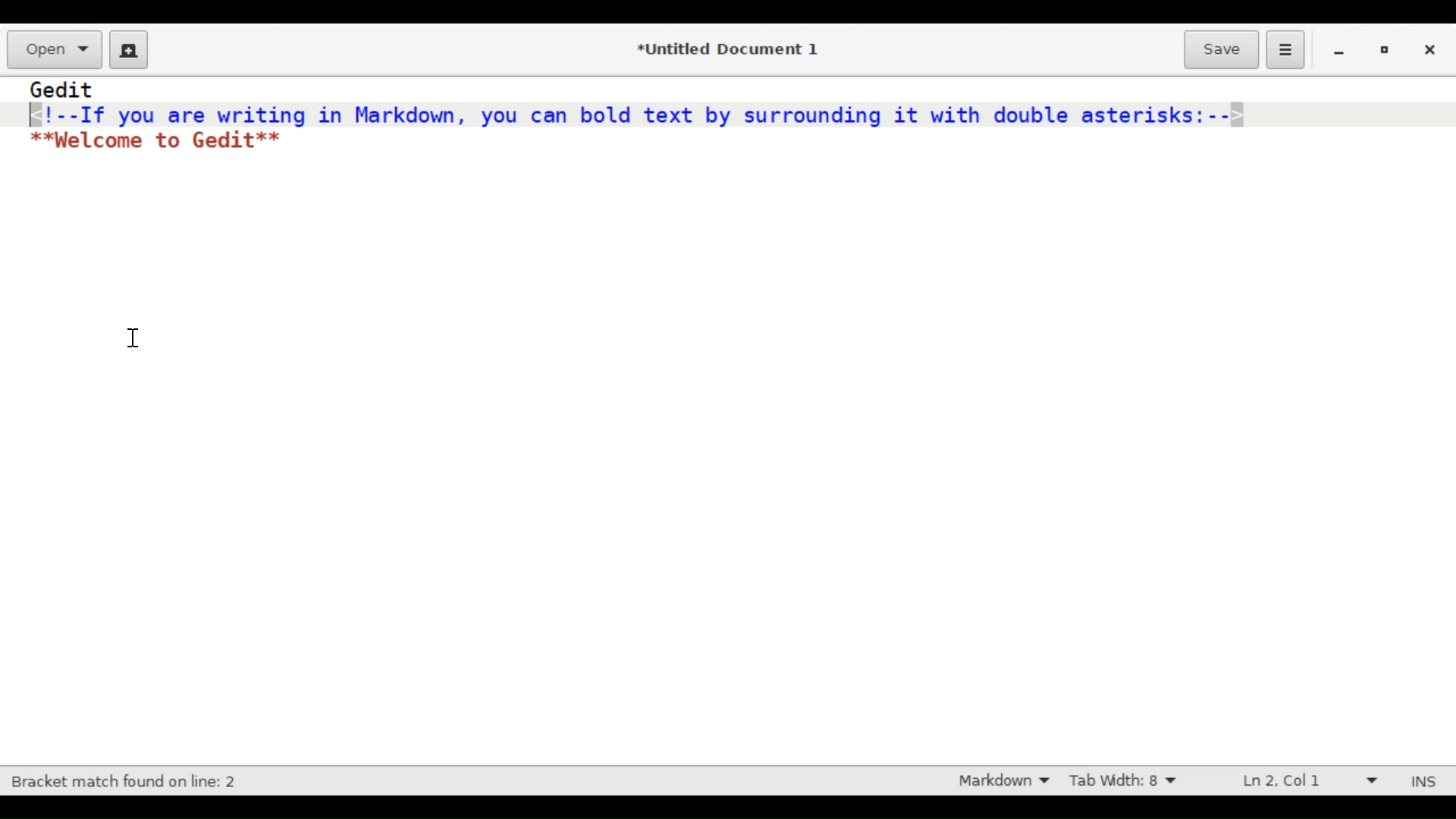 The image size is (1456, 819). I want to click on *Untitled Document 1, so click(726, 50).